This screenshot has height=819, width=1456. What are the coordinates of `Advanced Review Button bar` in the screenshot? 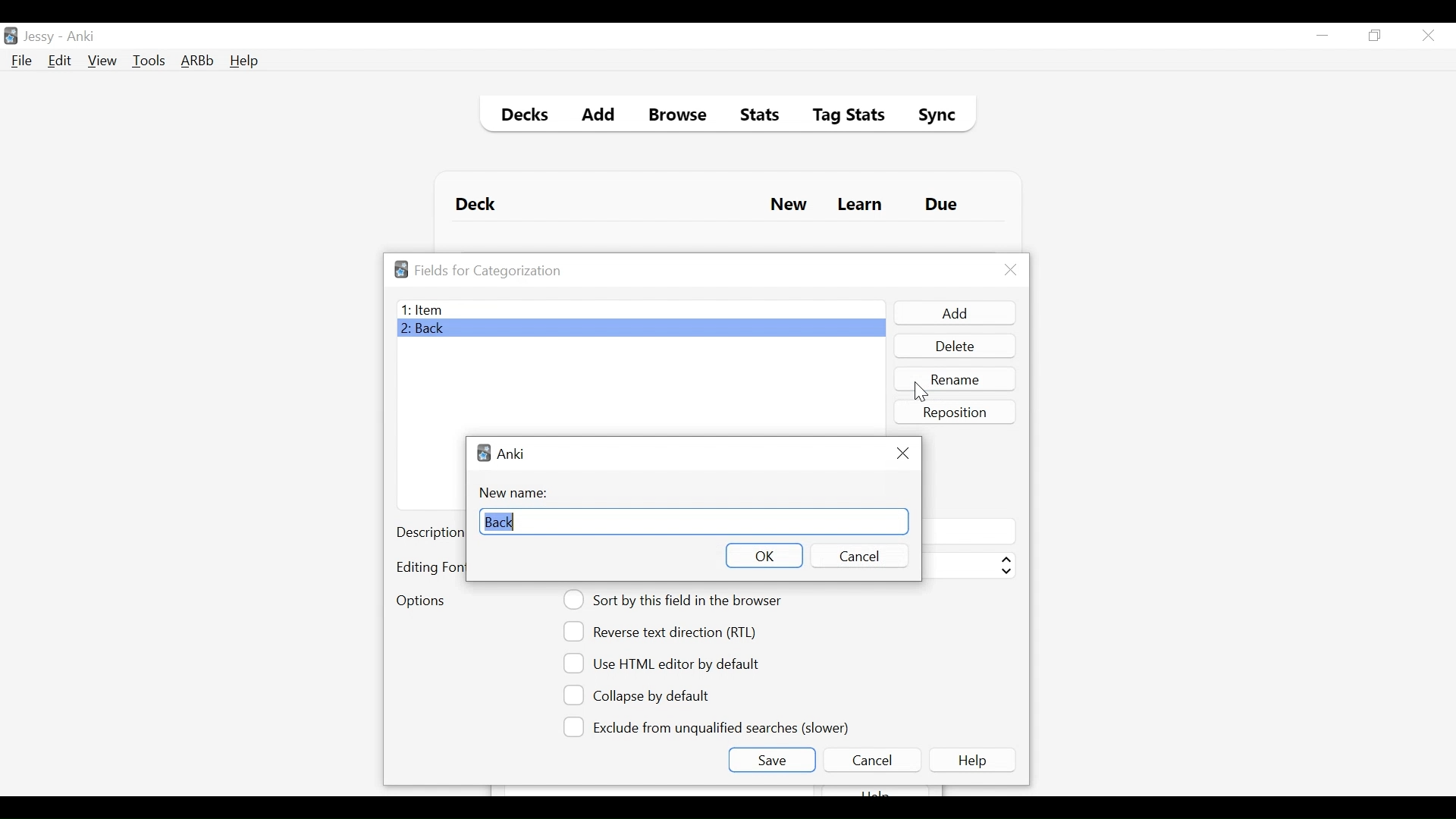 It's located at (198, 61).